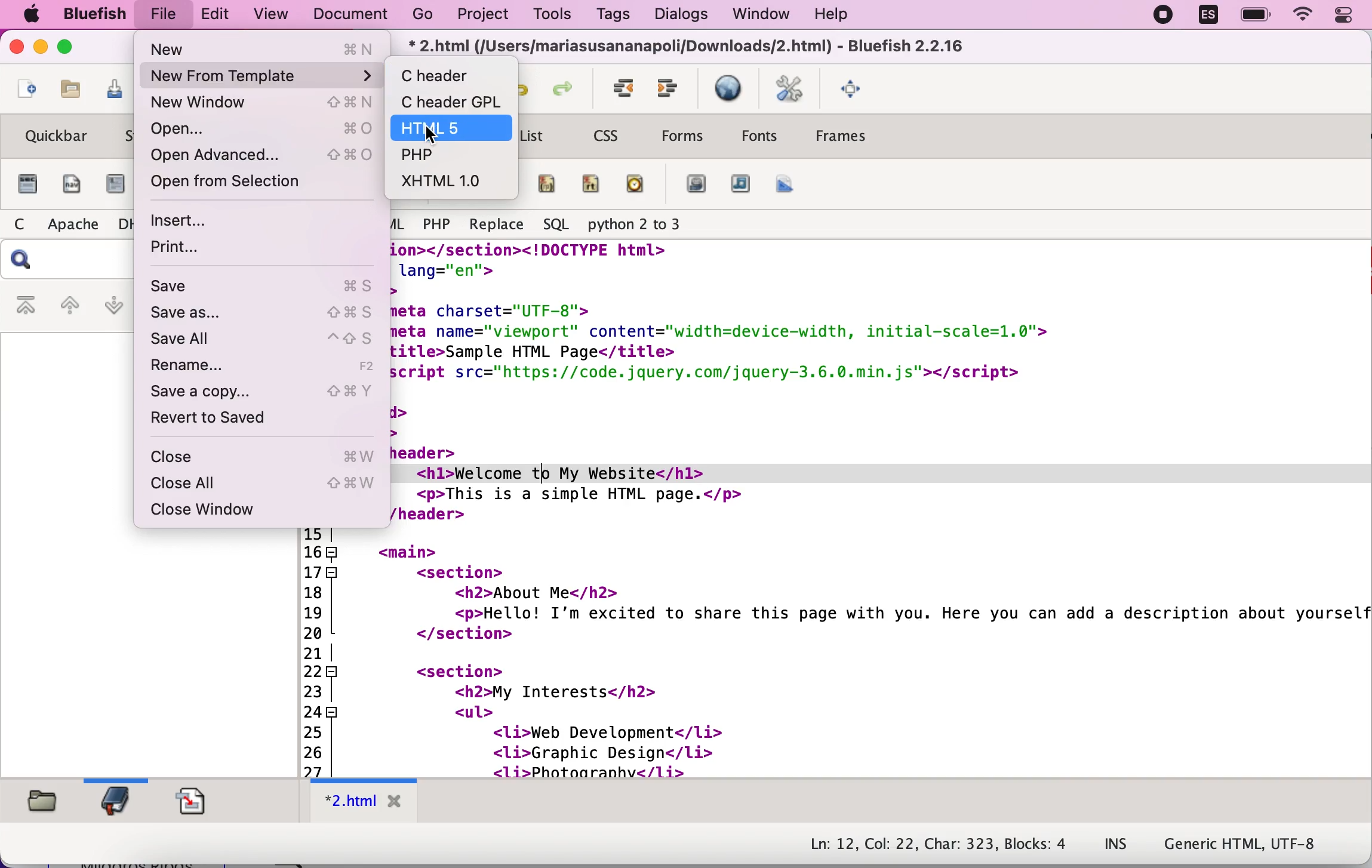  Describe the element at coordinates (269, 287) in the screenshot. I see `save` at that location.